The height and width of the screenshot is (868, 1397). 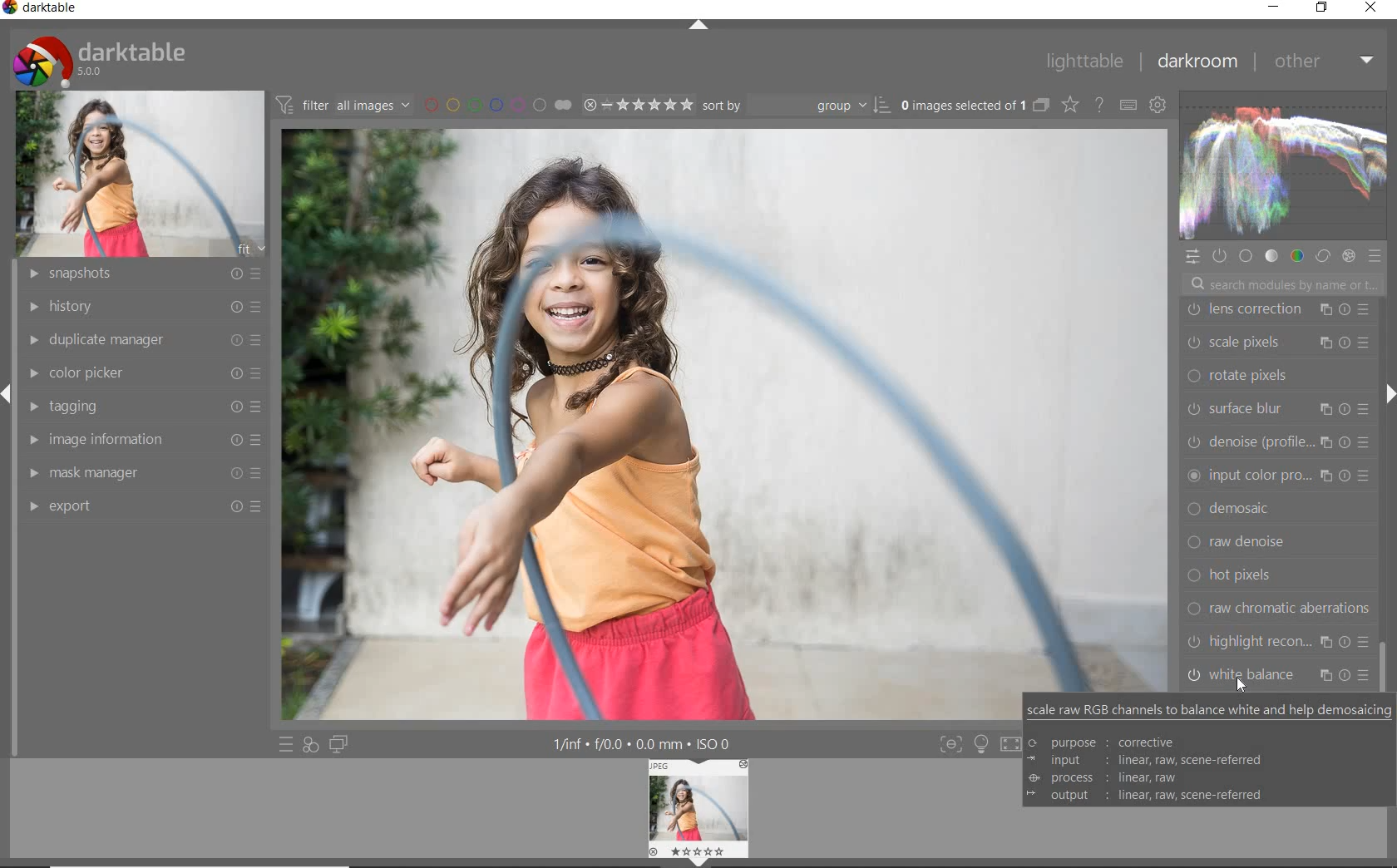 What do you see at coordinates (1014, 743) in the screenshot?
I see `toggle mode ` at bounding box center [1014, 743].